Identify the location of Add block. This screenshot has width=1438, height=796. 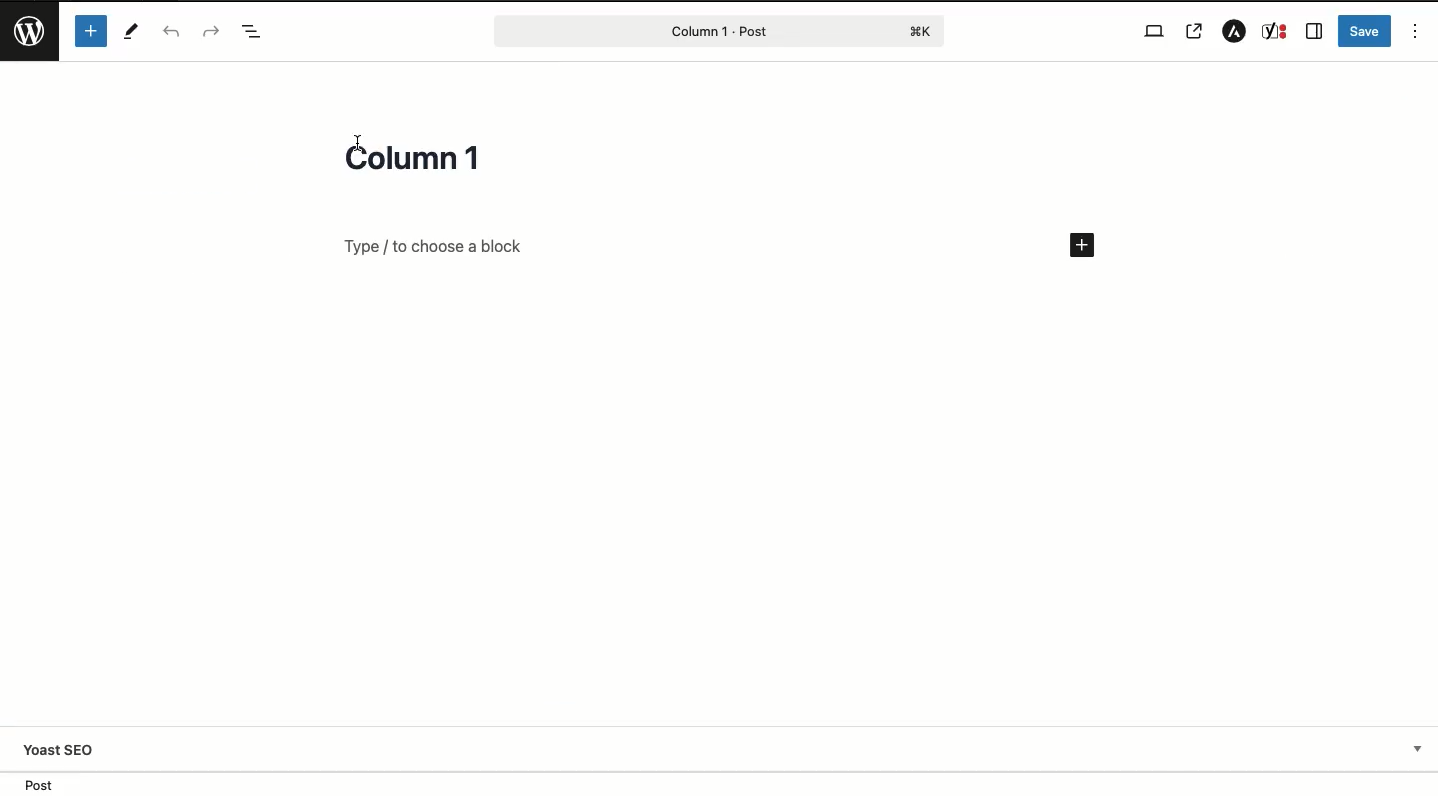
(90, 31).